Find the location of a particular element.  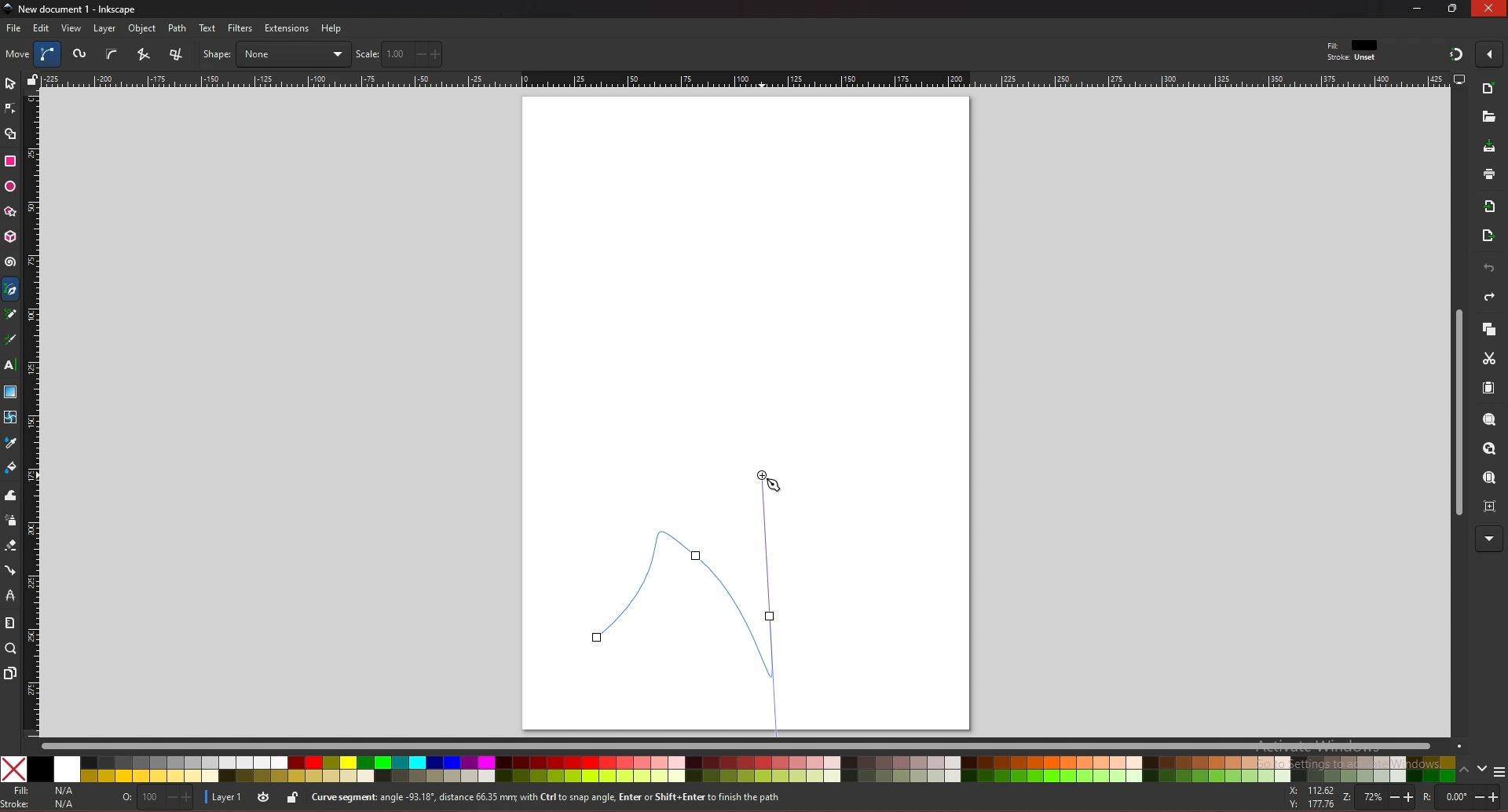

stroke is located at coordinates (42, 804).